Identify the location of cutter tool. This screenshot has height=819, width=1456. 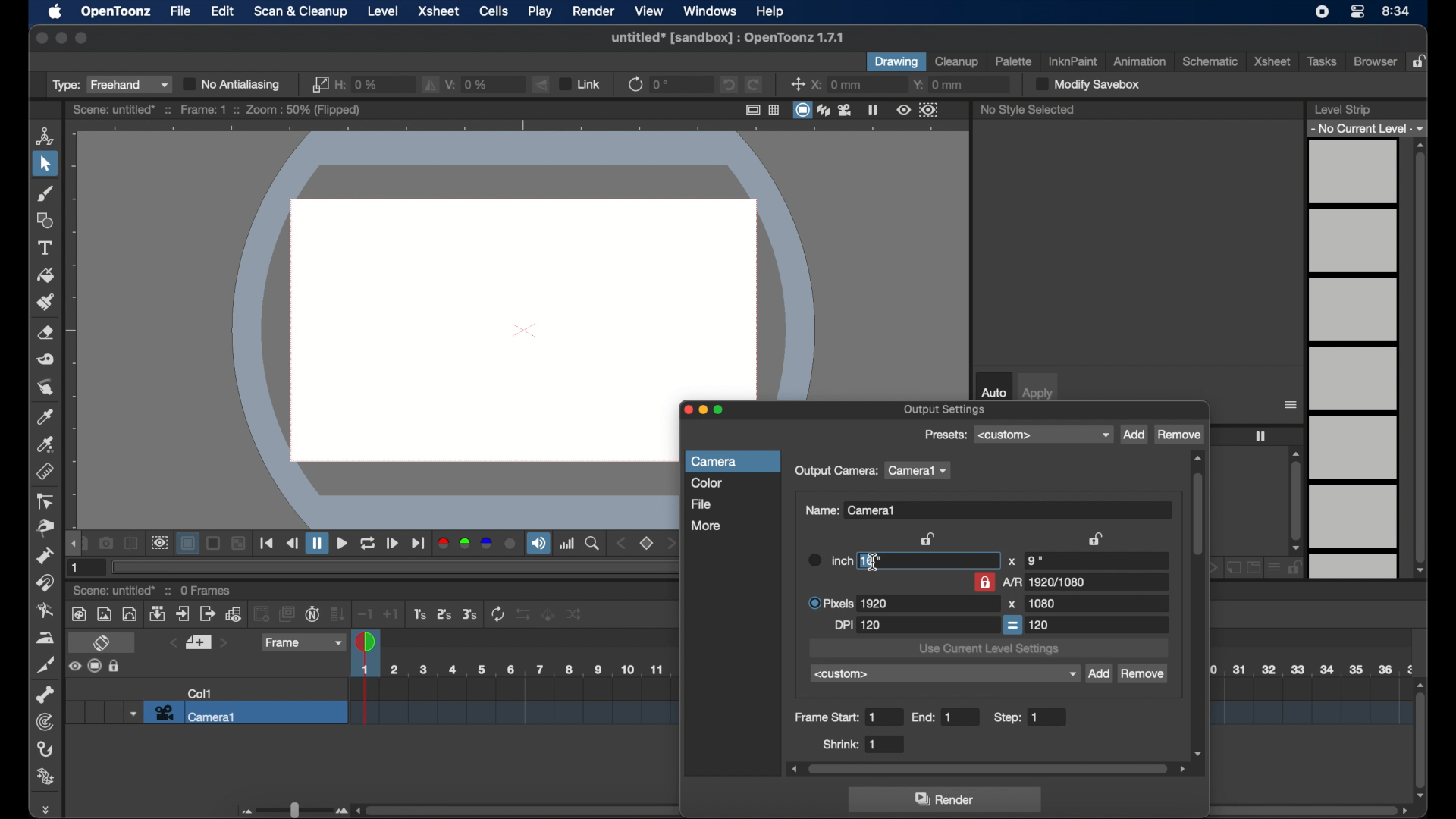
(46, 667).